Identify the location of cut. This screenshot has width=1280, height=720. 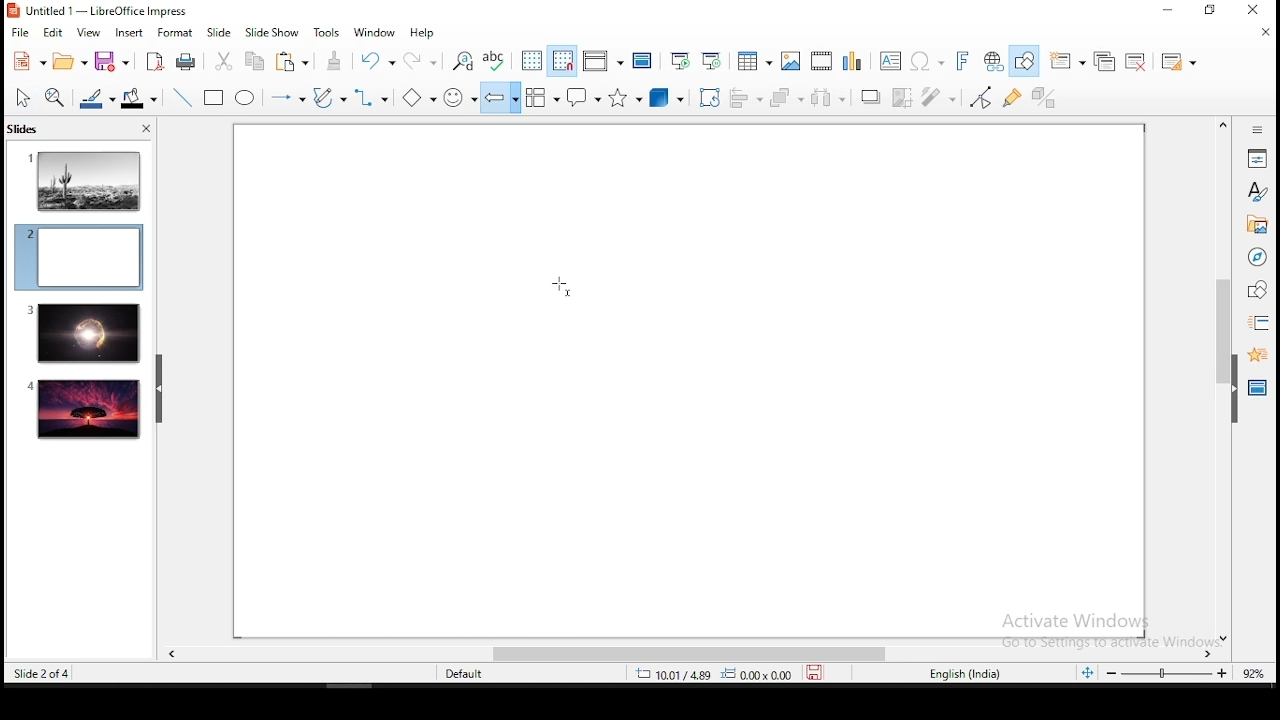
(223, 60).